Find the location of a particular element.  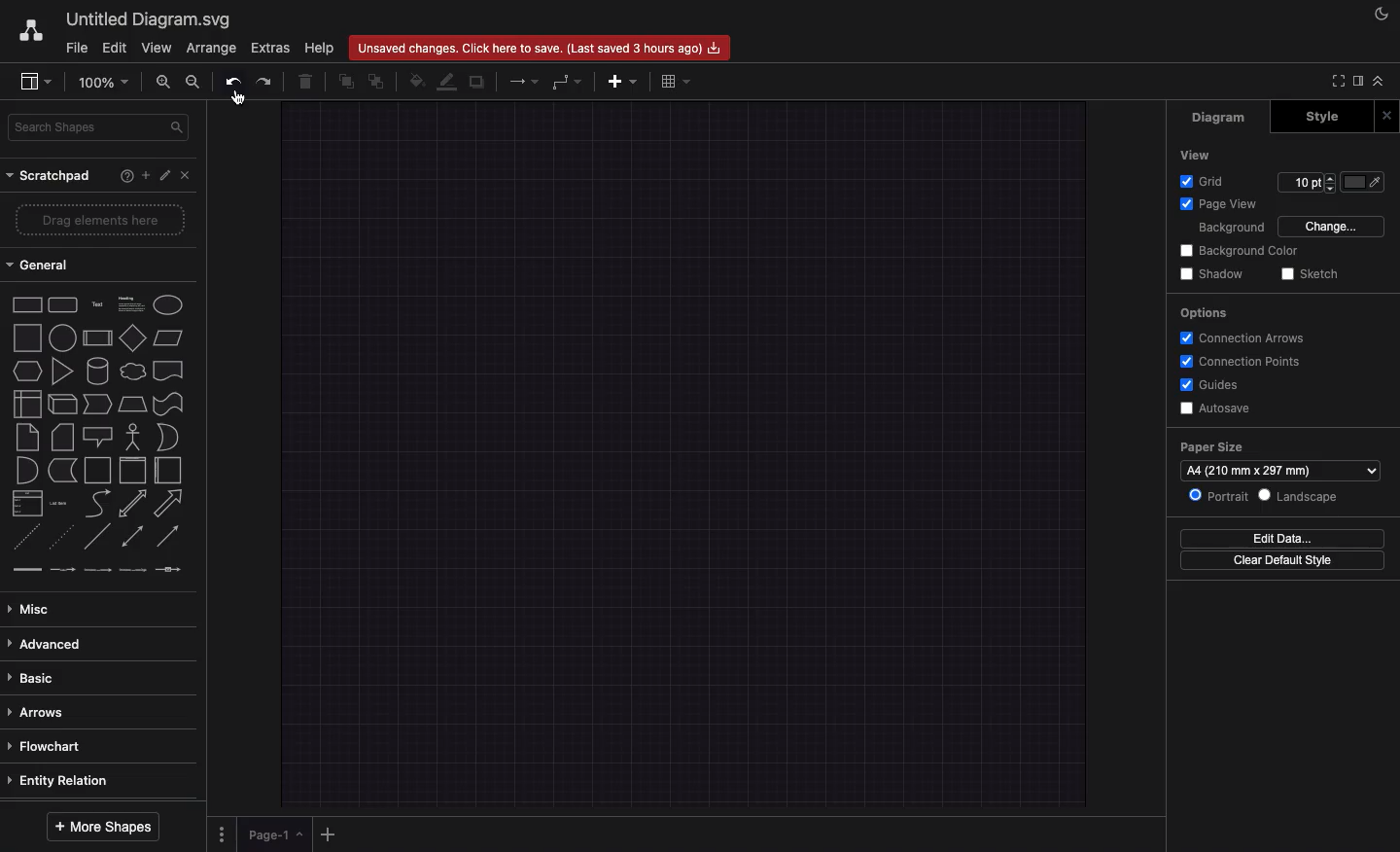

General is located at coordinates (44, 264).